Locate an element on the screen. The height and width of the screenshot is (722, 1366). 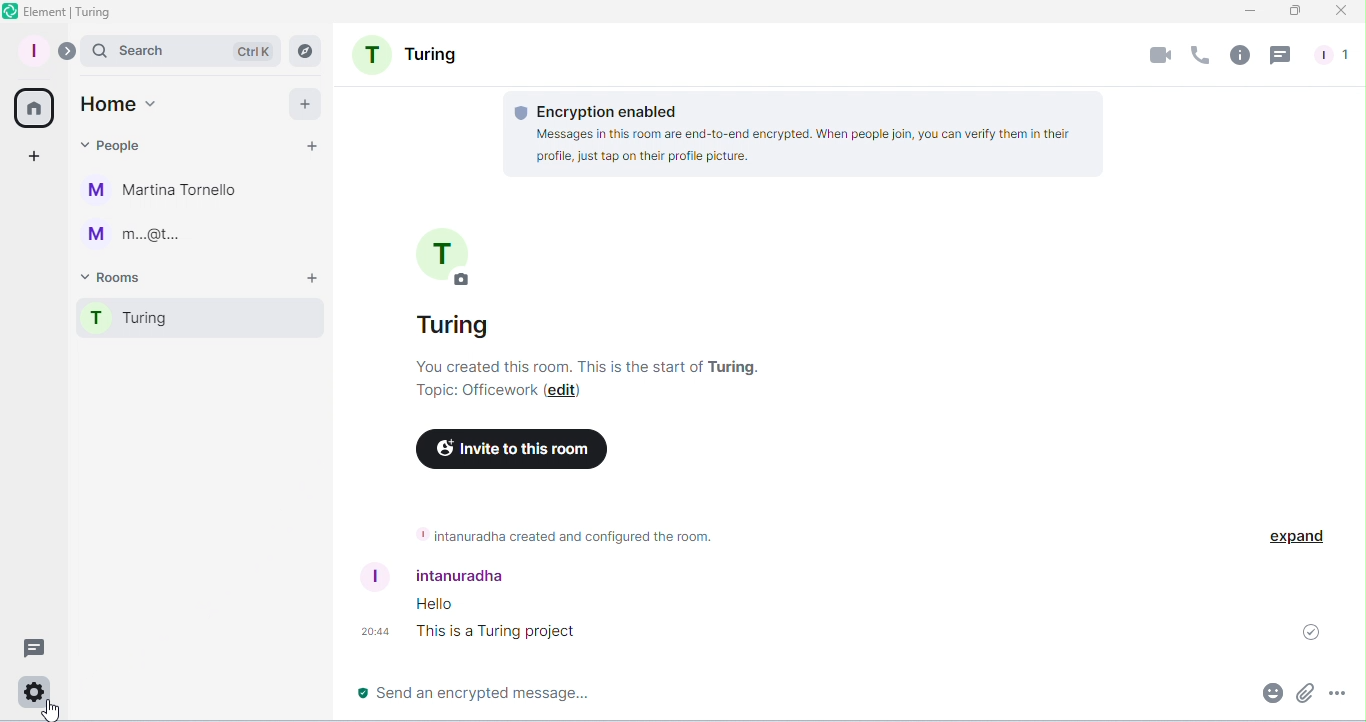
Turing is located at coordinates (202, 321).